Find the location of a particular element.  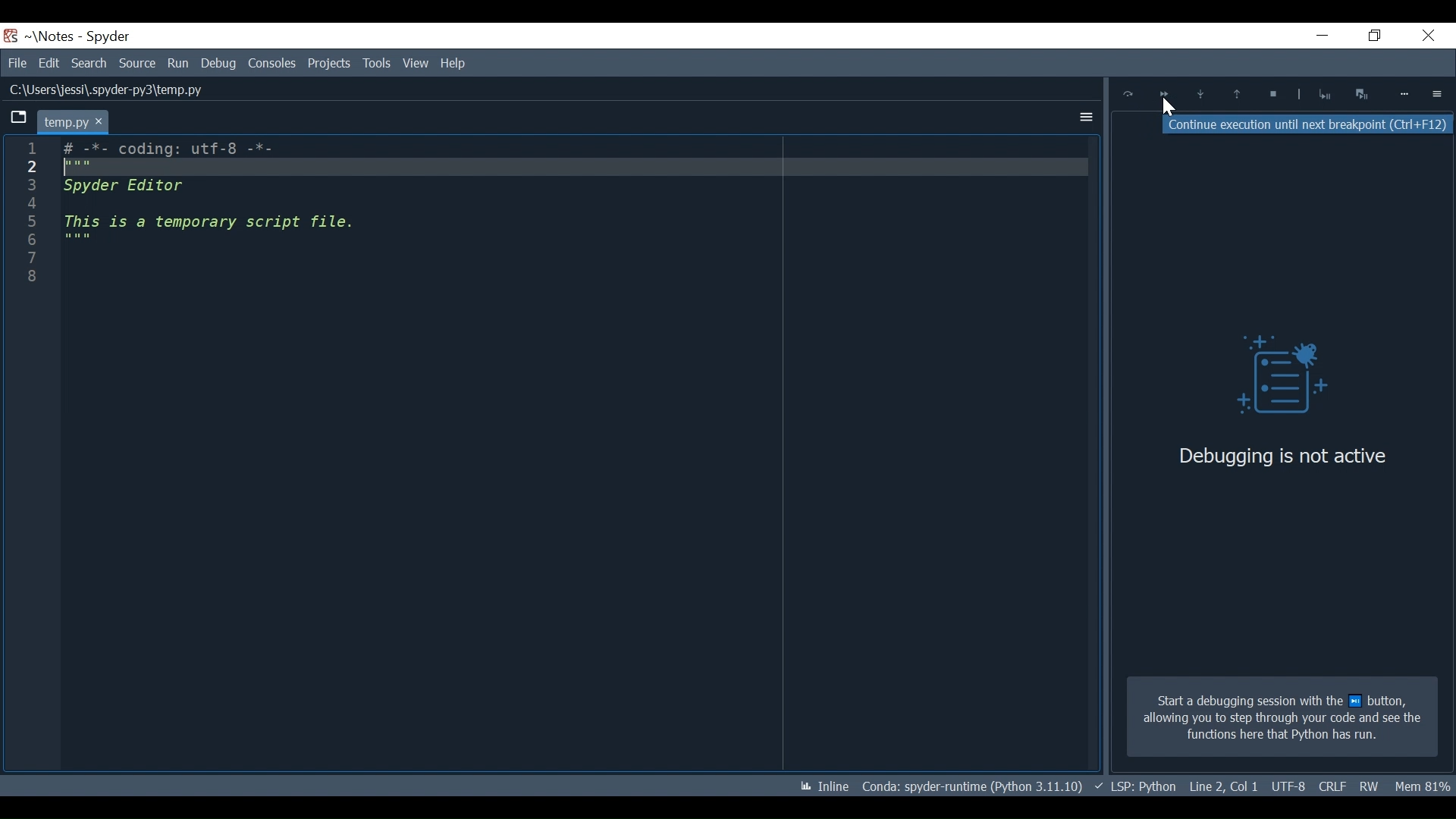

Stop Debugging is located at coordinates (1270, 96).